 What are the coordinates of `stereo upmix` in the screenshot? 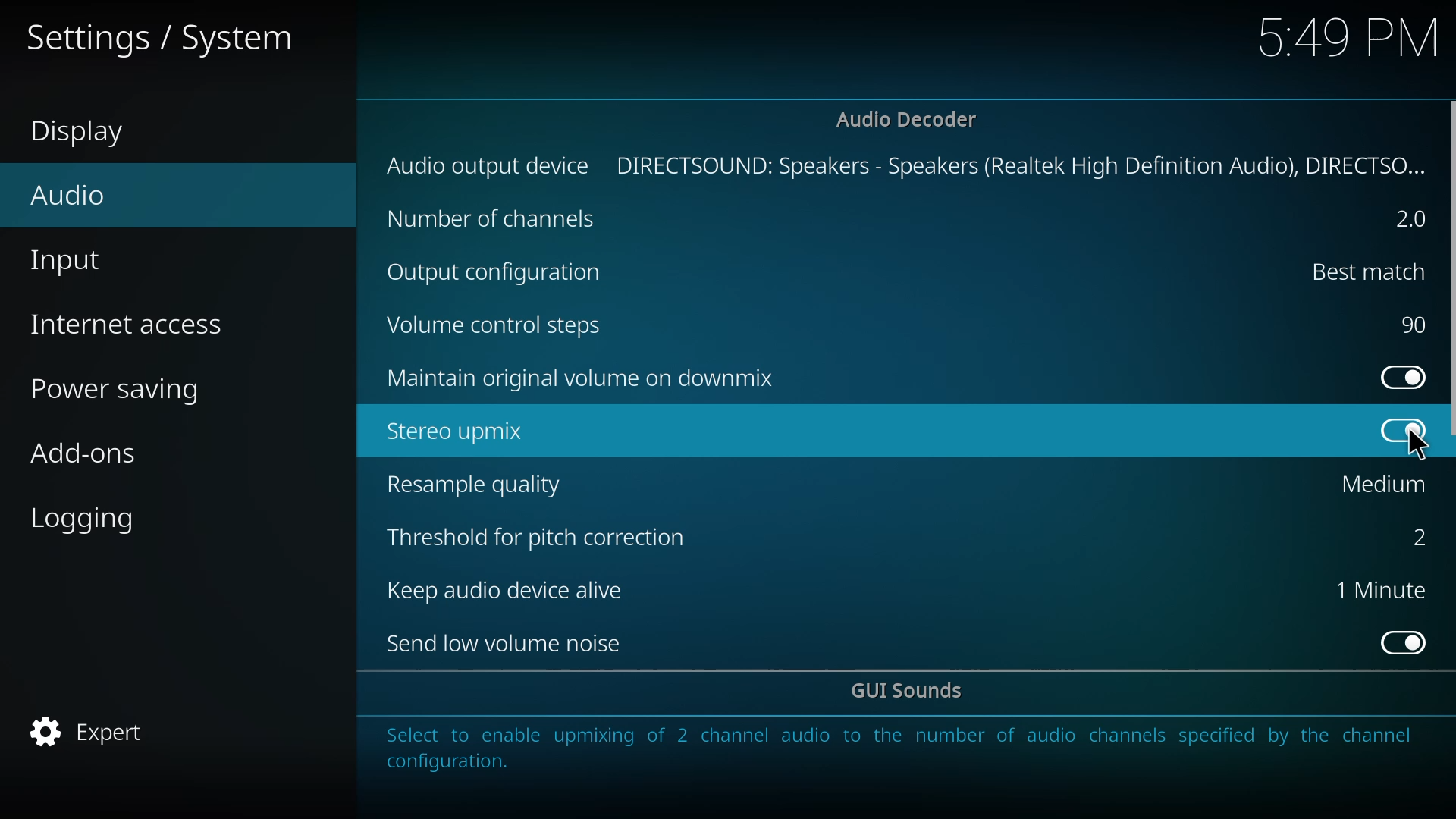 It's located at (462, 431).